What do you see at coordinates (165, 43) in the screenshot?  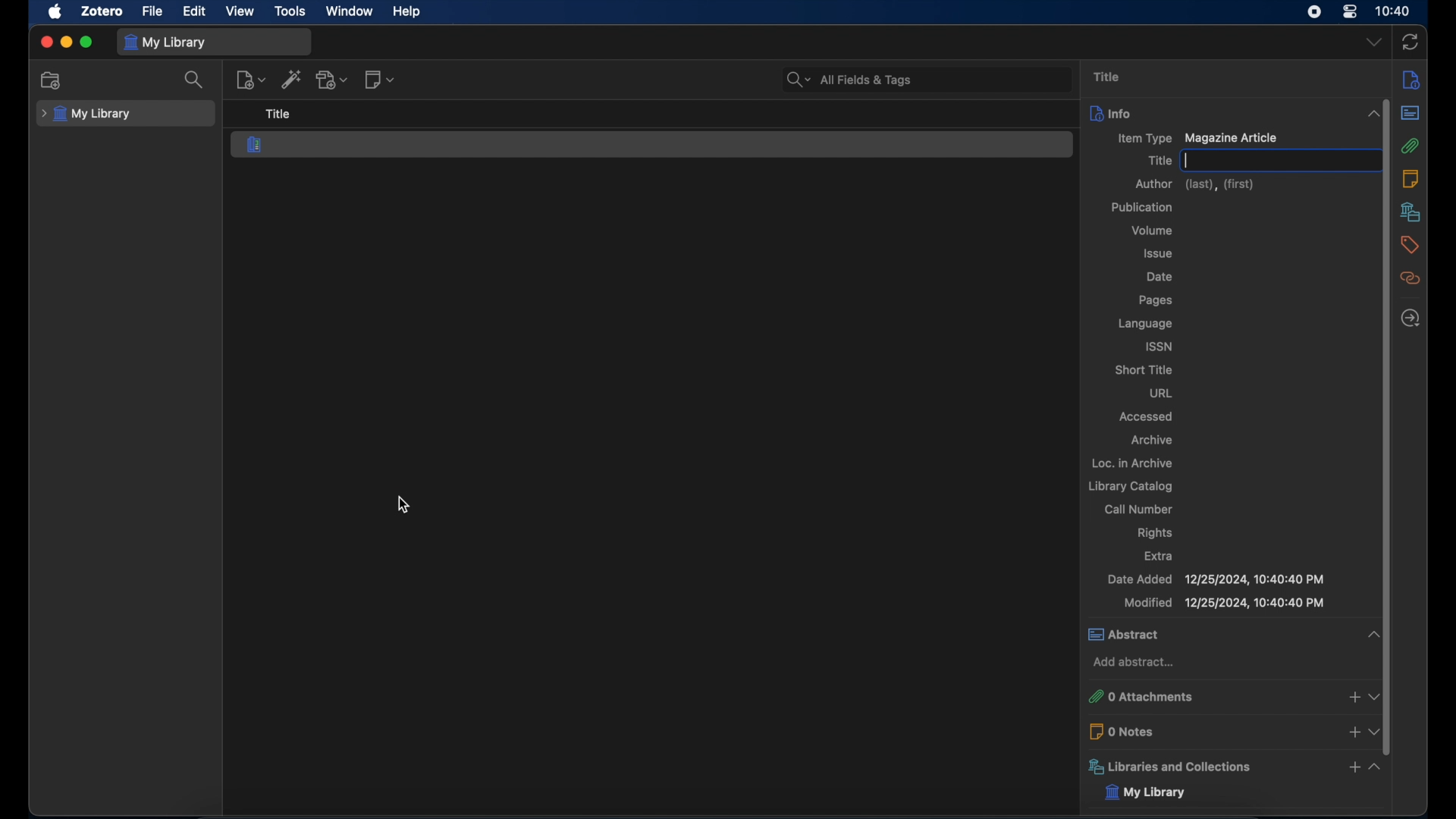 I see `my library` at bounding box center [165, 43].